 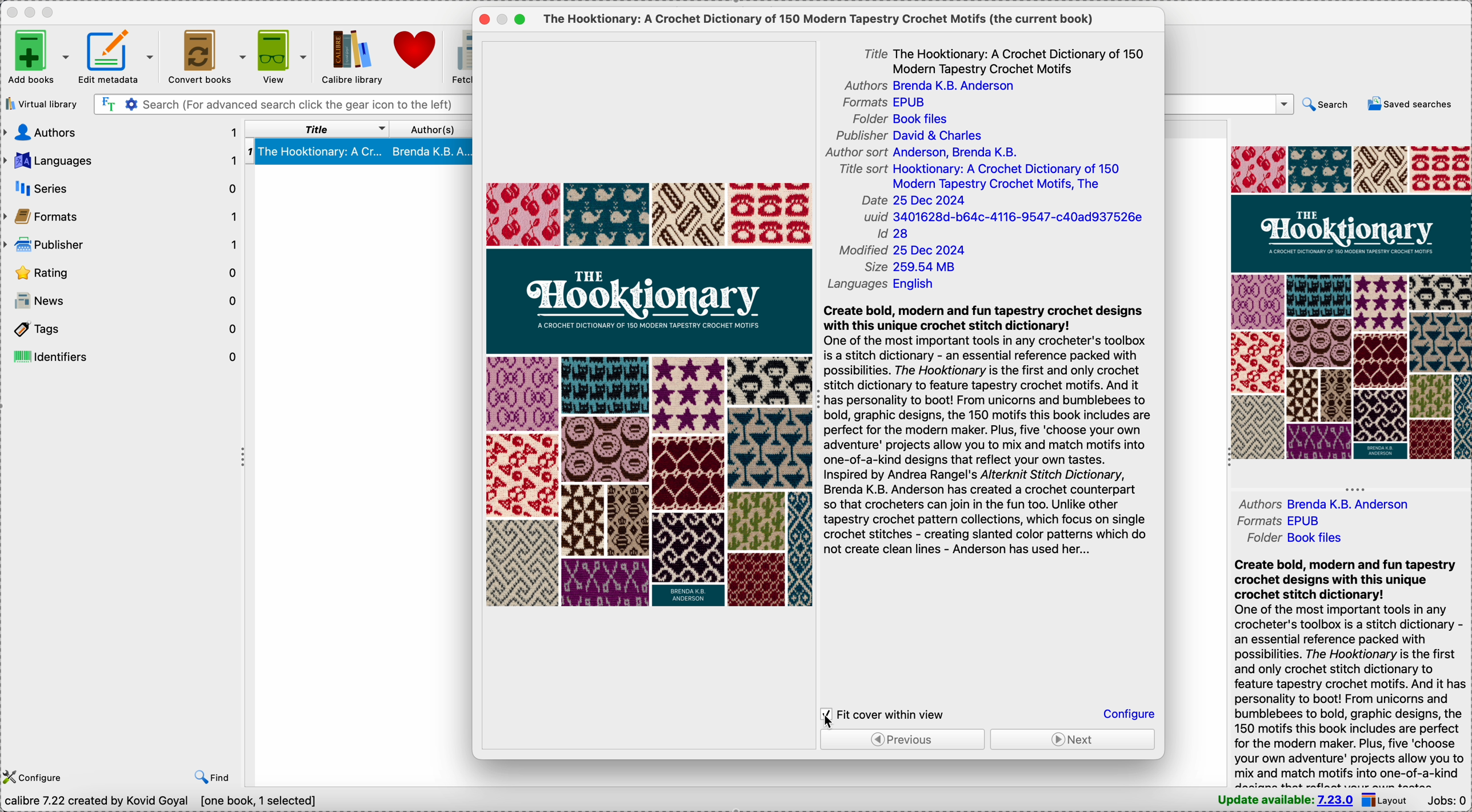 I want to click on author sort, so click(x=924, y=152).